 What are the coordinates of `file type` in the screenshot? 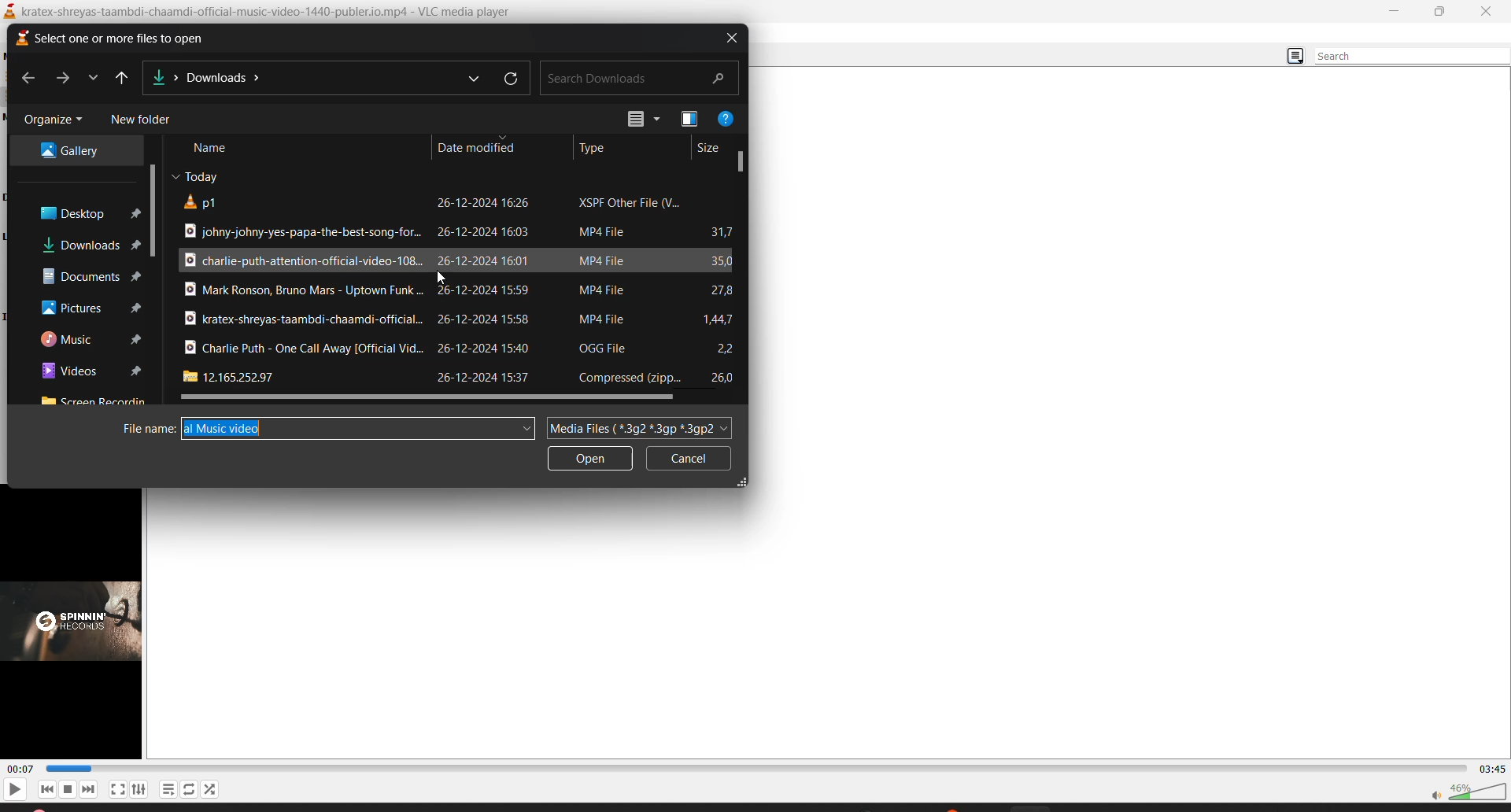 It's located at (605, 348).